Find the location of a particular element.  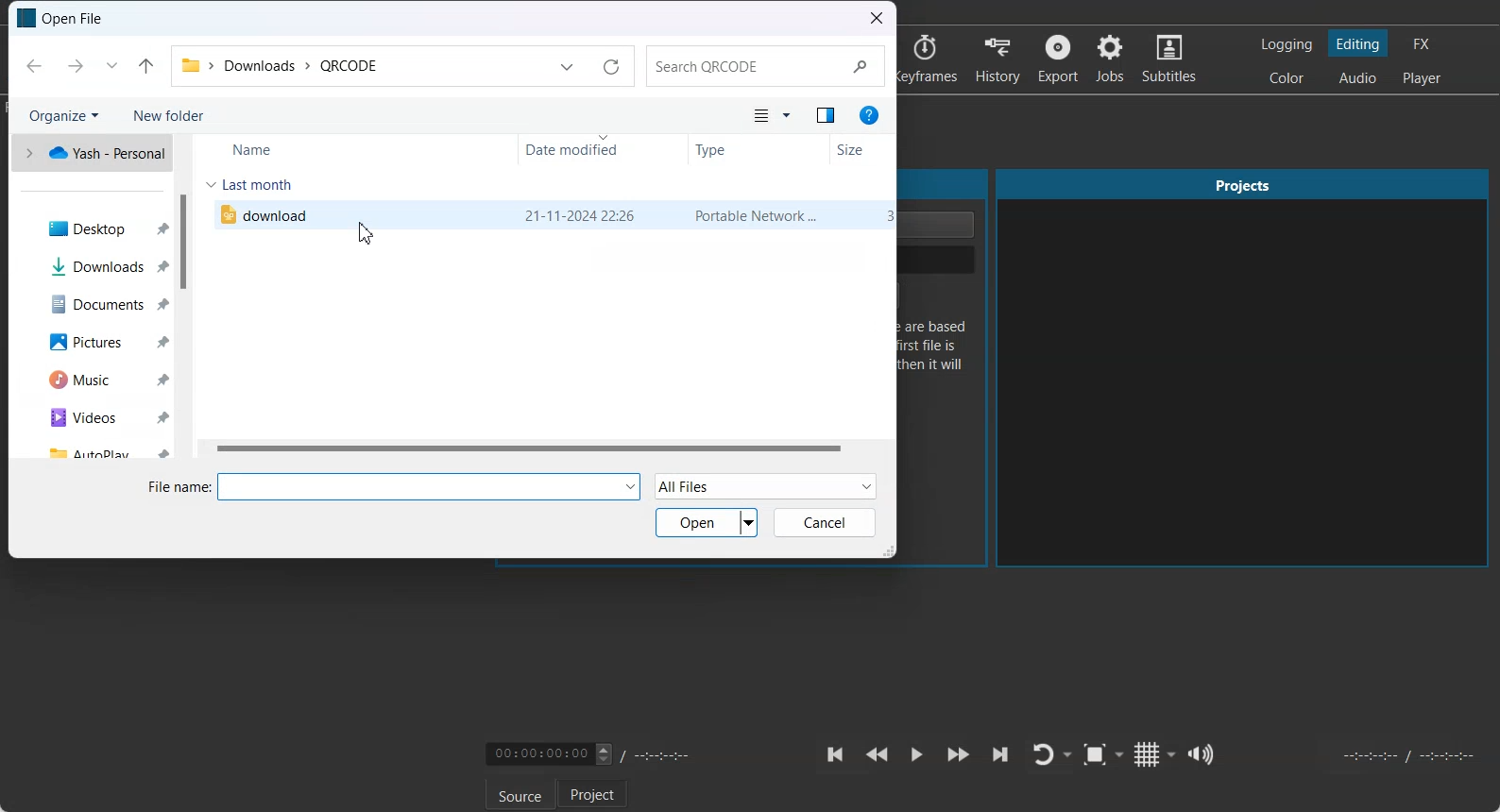

Video Timing adjuster is located at coordinates (550, 754).